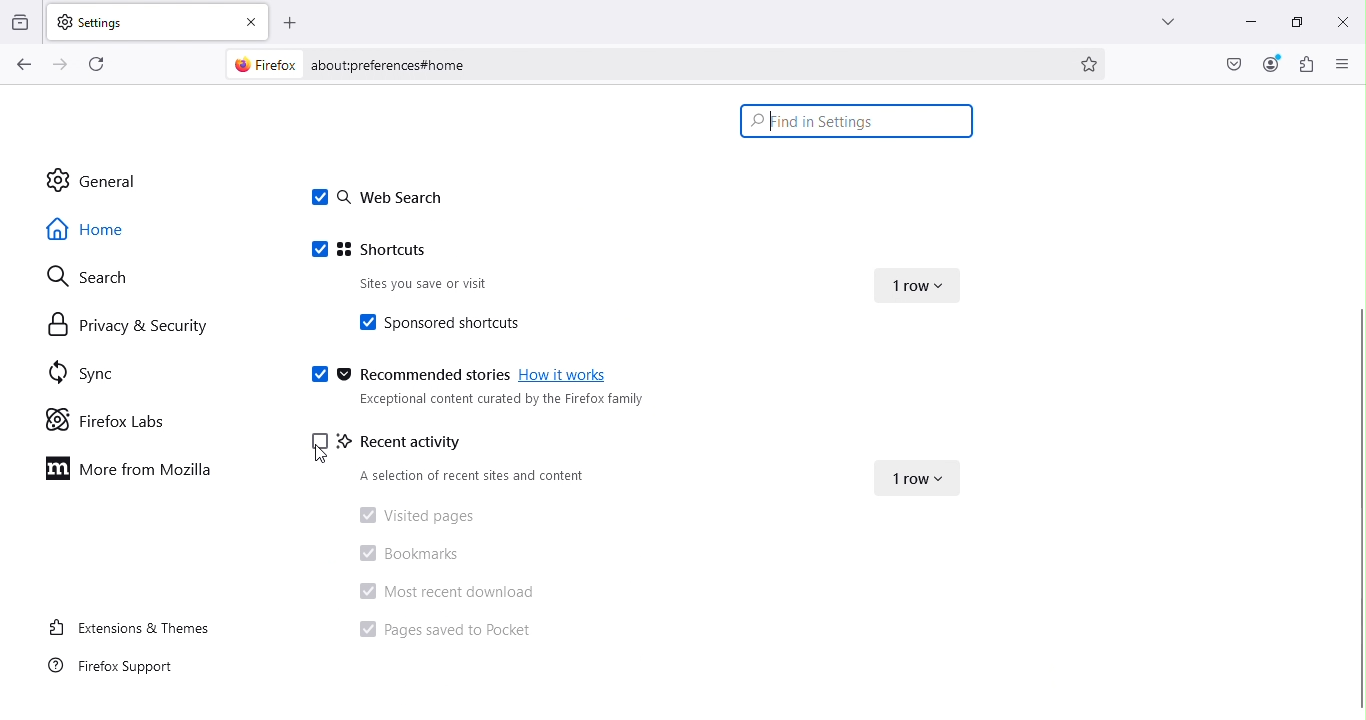 This screenshot has width=1366, height=720. Describe the element at coordinates (380, 251) in the screenshot. I see `Shortcuts` at that location.